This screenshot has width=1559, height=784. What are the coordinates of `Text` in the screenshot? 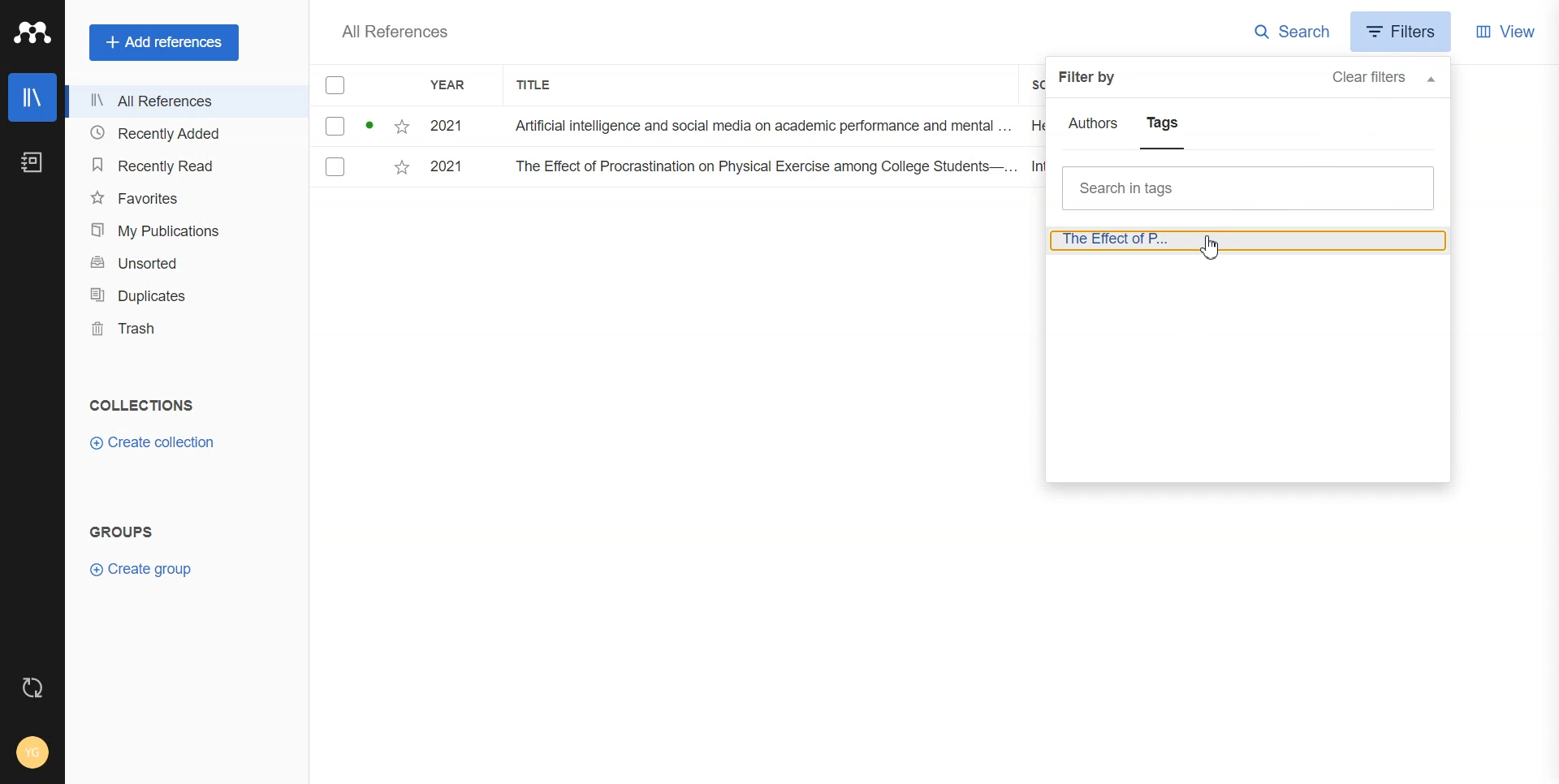 It's located at (395, 32).